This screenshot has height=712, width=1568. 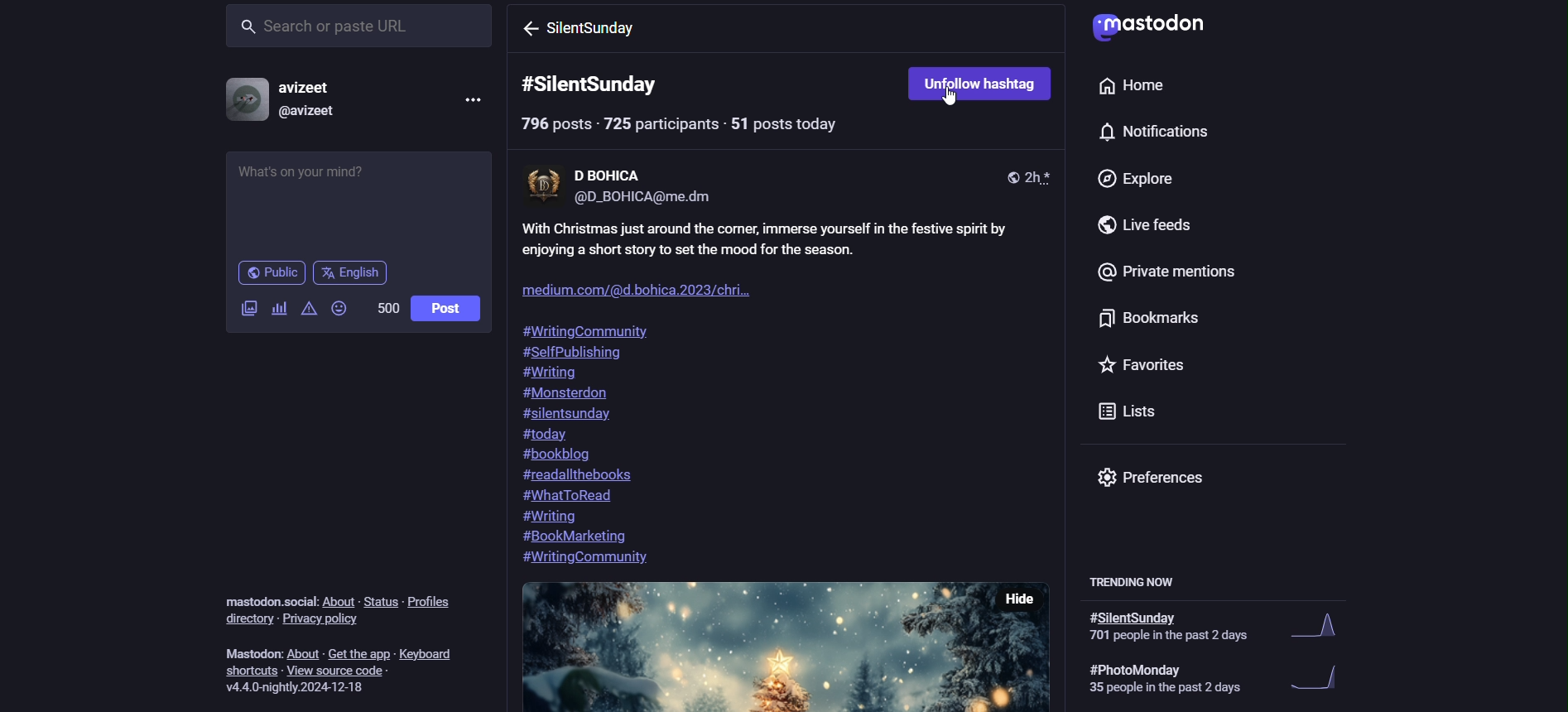 I want to click on Preferences, so click(x=1155, y=476).